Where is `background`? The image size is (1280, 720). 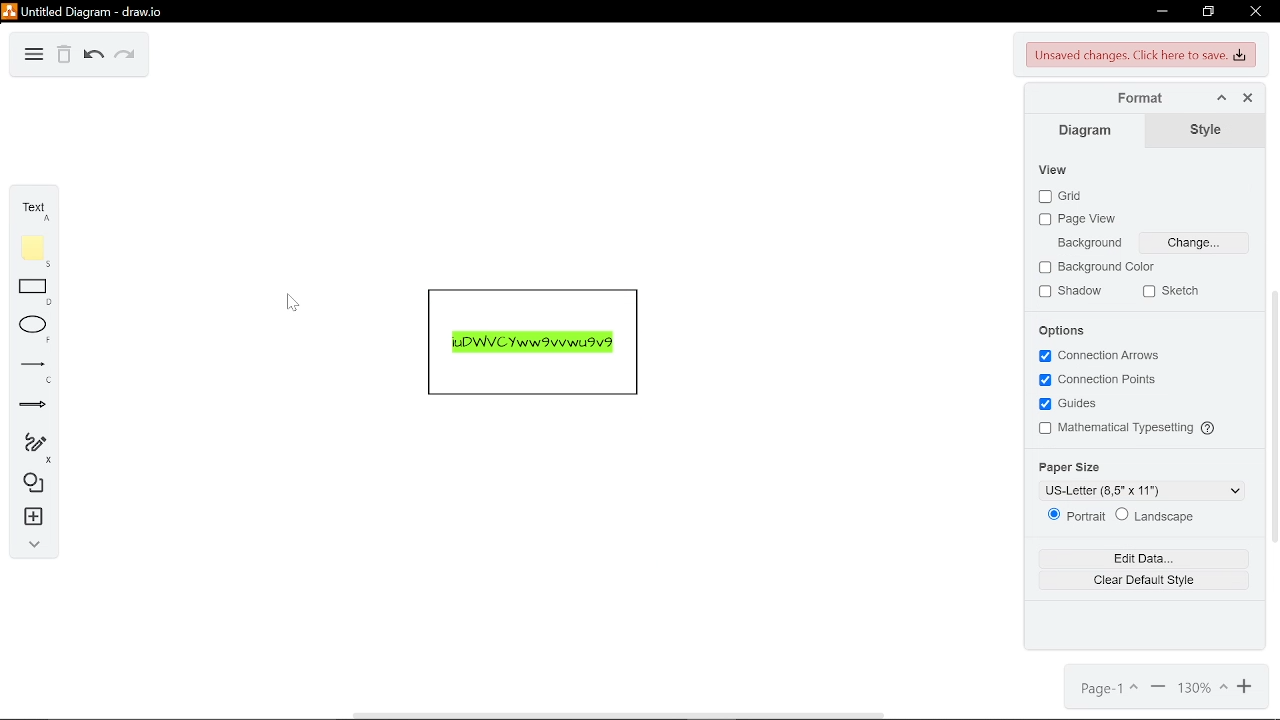 background is located at coordinates (1092, 243).